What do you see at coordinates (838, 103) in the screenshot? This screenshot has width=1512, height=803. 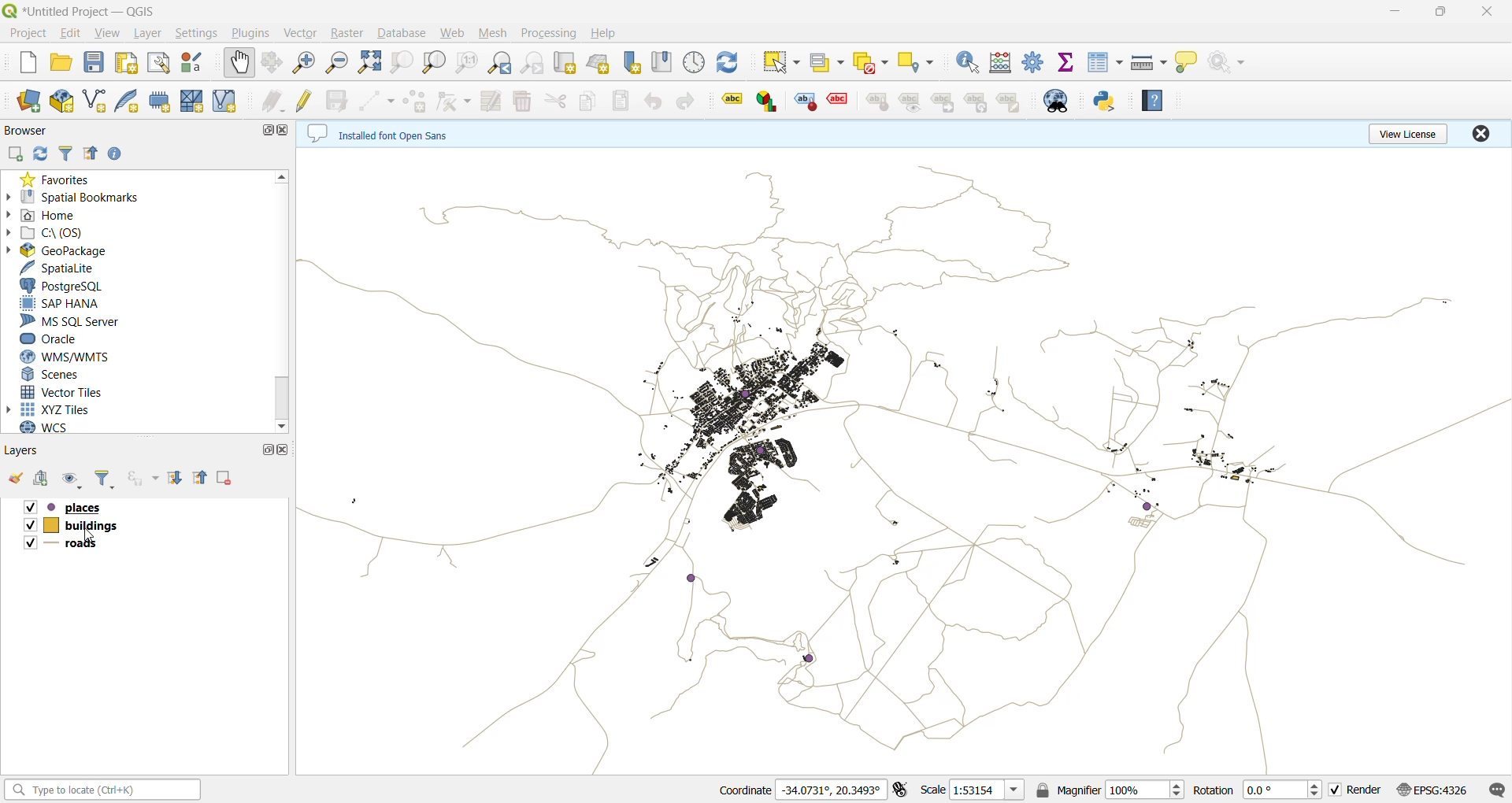 I see `effect` at bounding box center [838, 103].